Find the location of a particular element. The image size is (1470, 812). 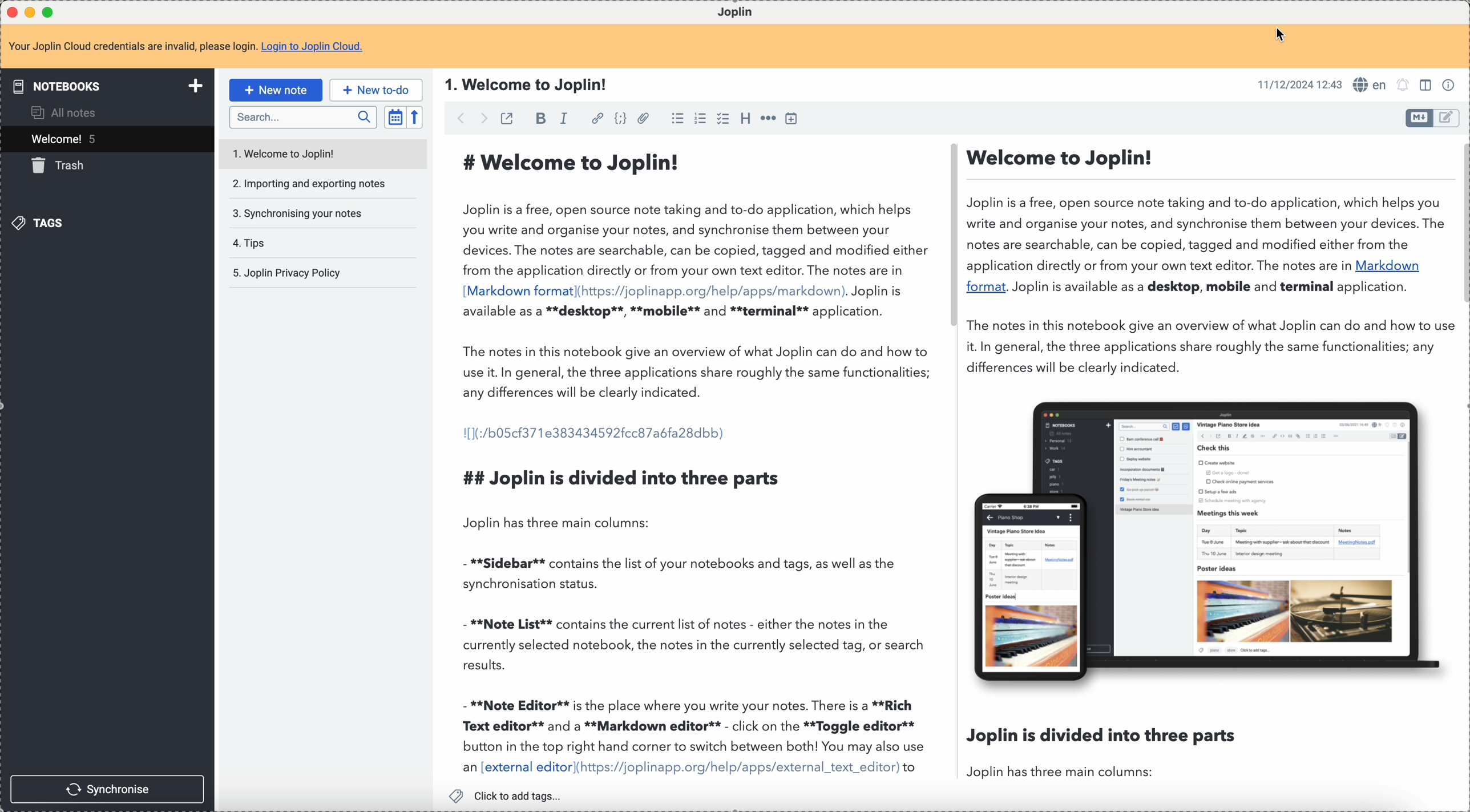

Joplin is divided into three parts is located at coordinates (1104, 732).